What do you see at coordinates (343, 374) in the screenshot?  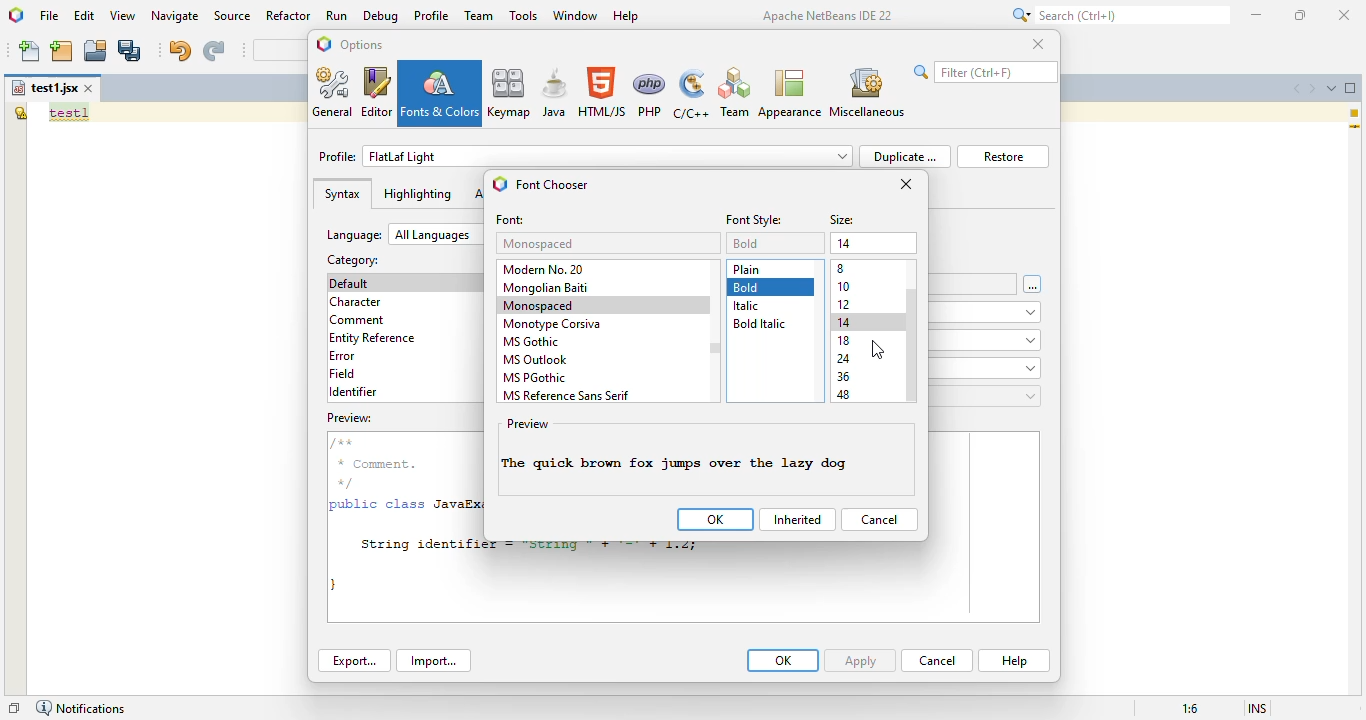 I see `field` at bounding box center [343, 374].